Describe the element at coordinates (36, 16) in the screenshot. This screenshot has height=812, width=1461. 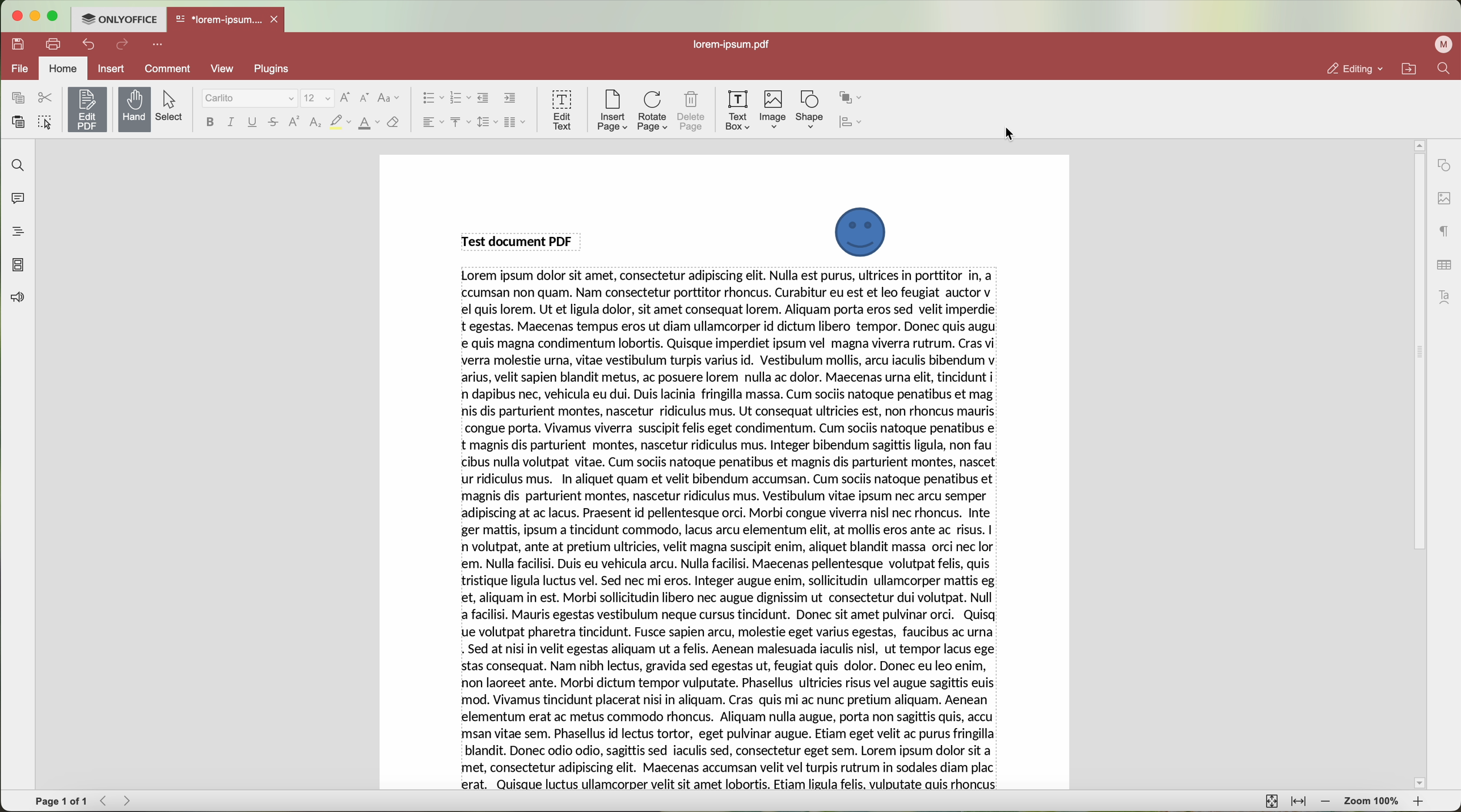
I see `minimize` at that location.